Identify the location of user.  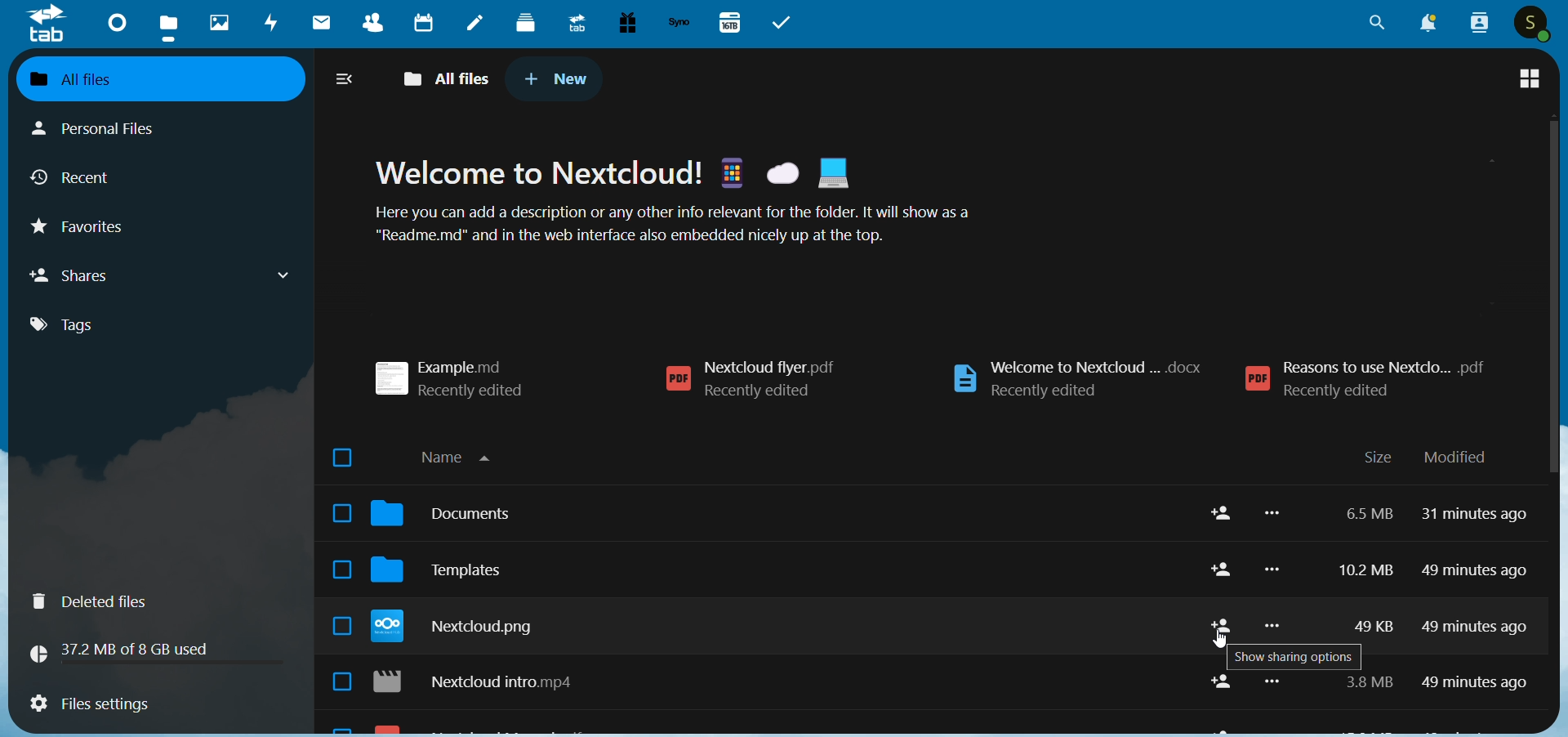
(1534, 25).